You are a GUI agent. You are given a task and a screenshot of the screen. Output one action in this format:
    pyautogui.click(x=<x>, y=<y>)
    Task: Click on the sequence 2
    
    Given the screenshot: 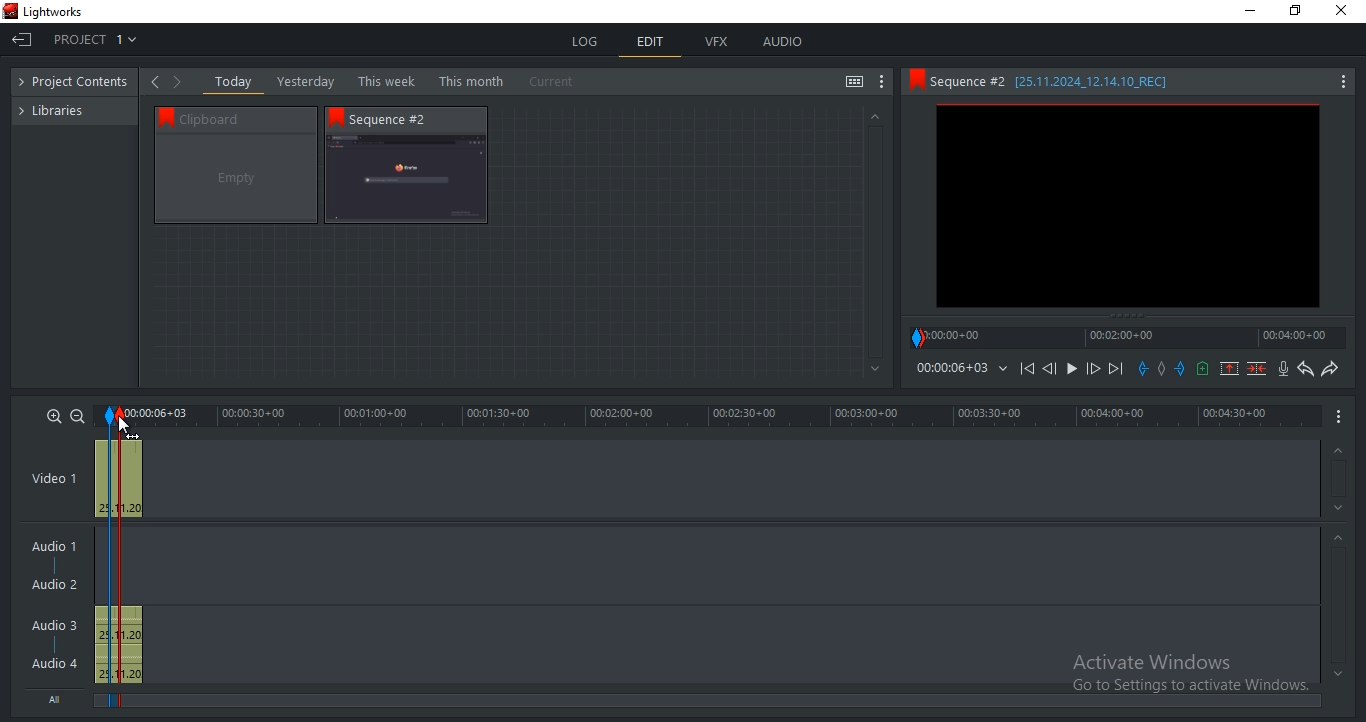 What is the action you would take?
    pyautogui.click(x=1128, y=208)
    